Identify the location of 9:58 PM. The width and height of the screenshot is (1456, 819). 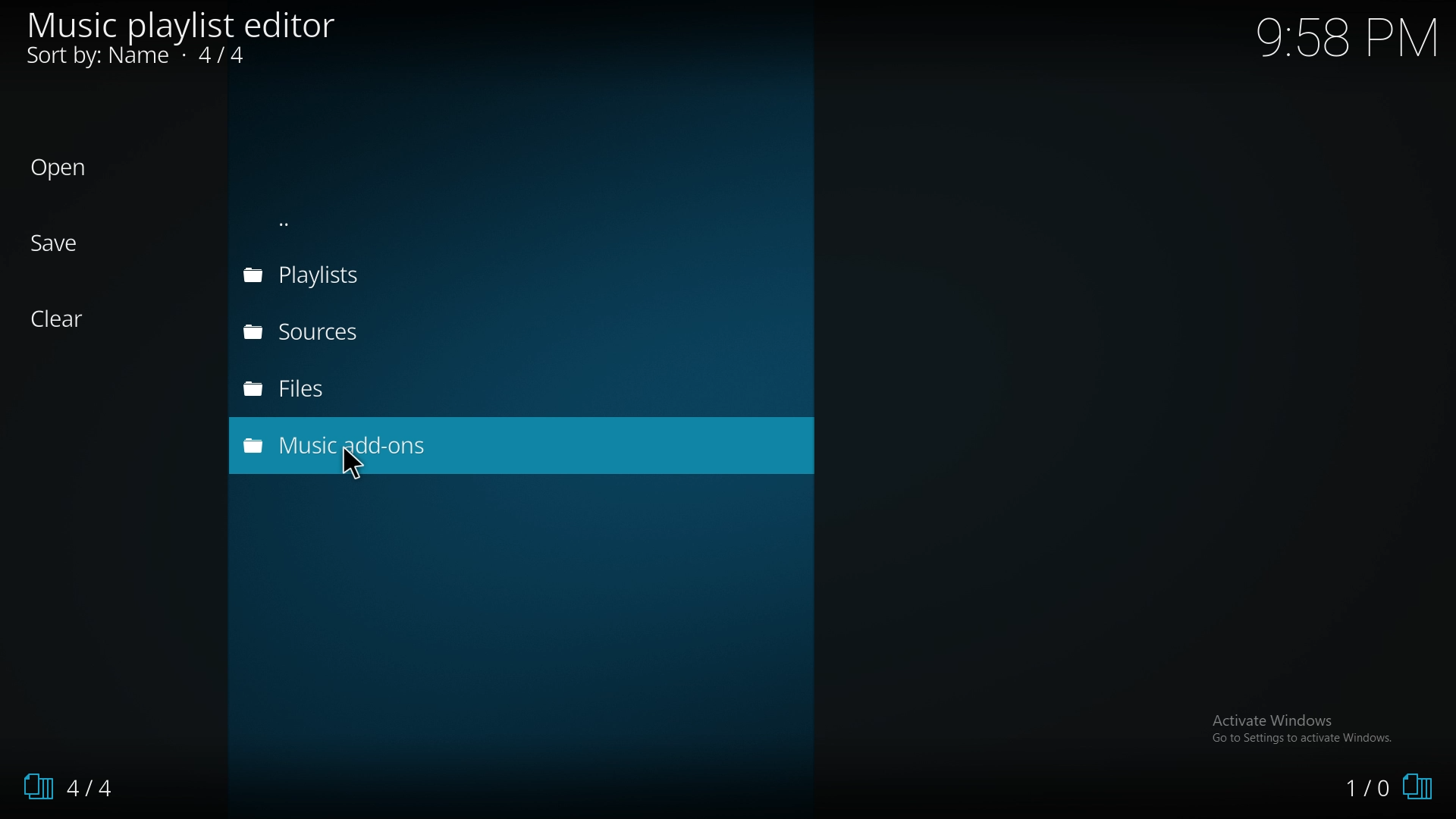
(1335, 42).